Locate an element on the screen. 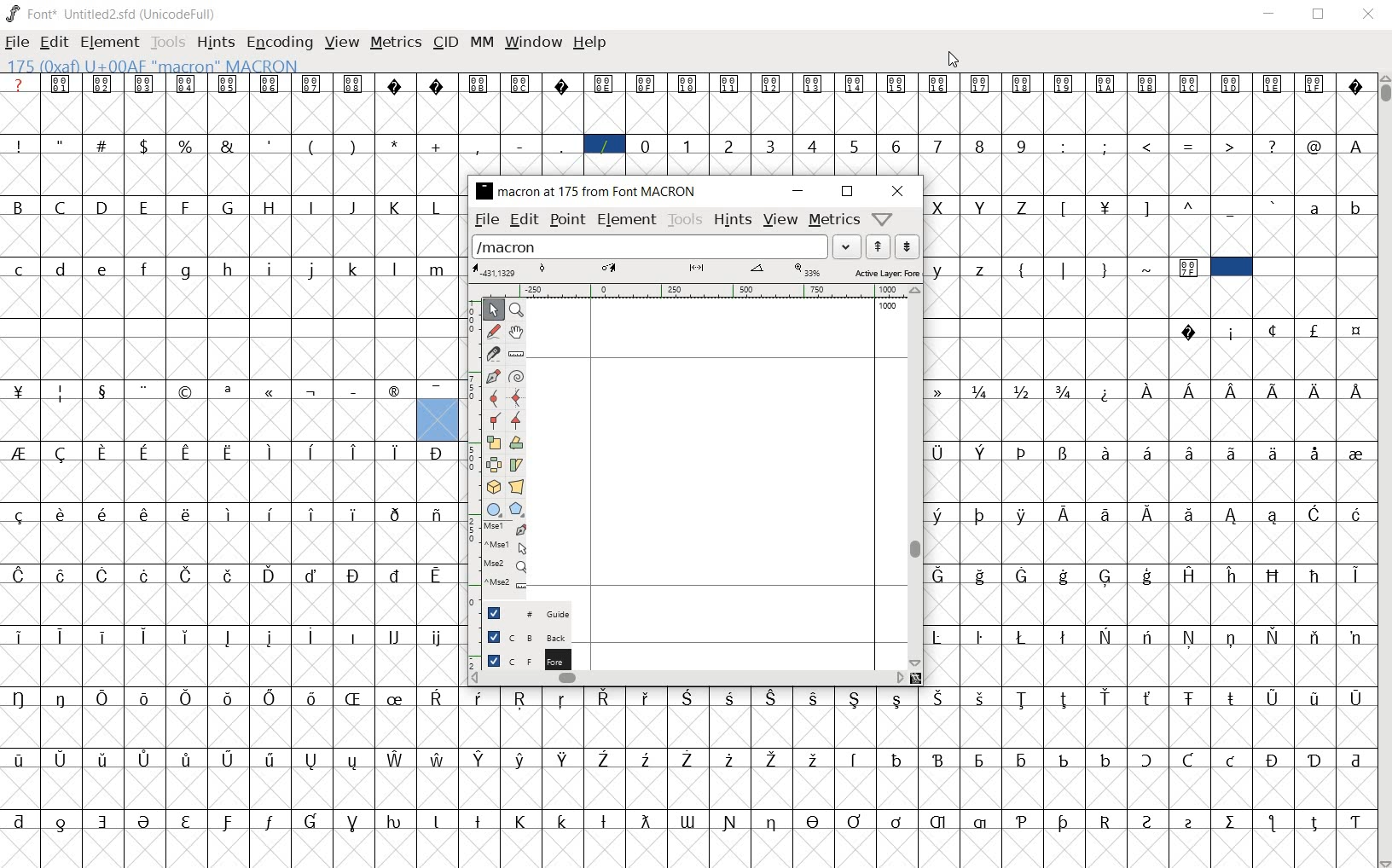 Image resolution: width=1392 pixels, height=868 pixels. ruler is located at coordinates (517, 351).